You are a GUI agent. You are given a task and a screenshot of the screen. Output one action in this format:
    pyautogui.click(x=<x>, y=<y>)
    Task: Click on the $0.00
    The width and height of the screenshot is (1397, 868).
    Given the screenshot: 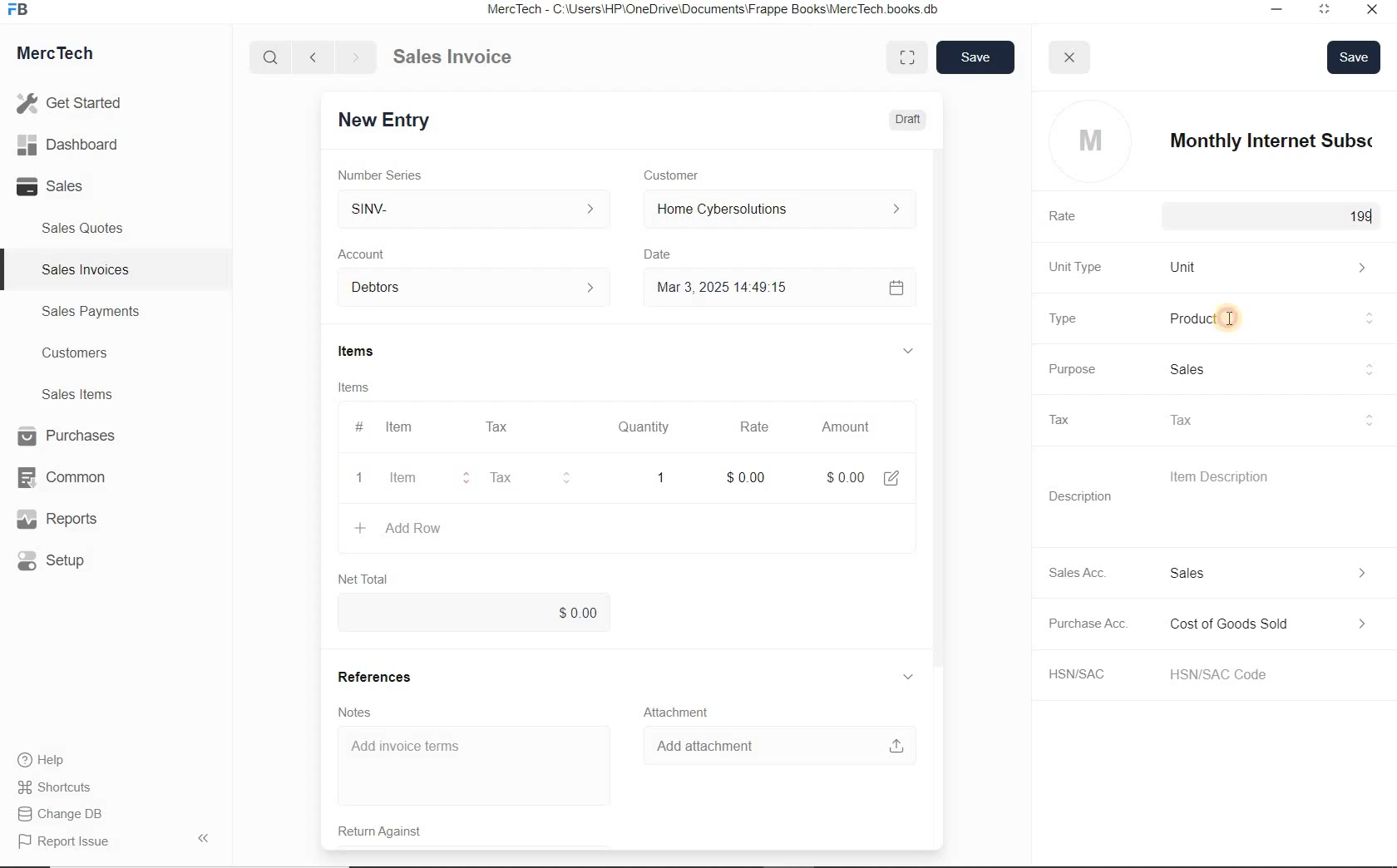 What is the action you would take?
    pyautogui.click(x=475, y=613)
    